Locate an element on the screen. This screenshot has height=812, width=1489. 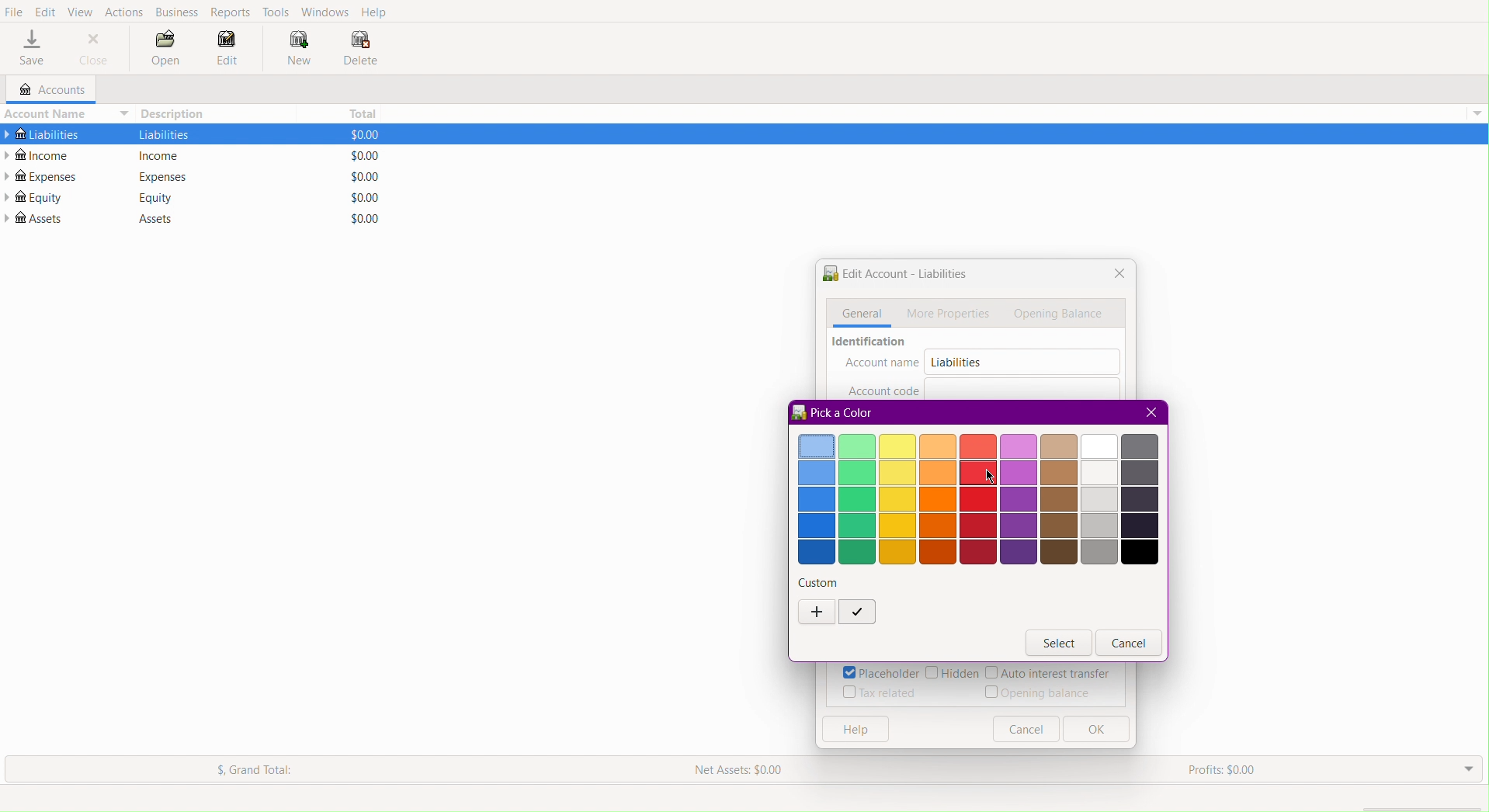
Reports is located at coordinates (233, 12).